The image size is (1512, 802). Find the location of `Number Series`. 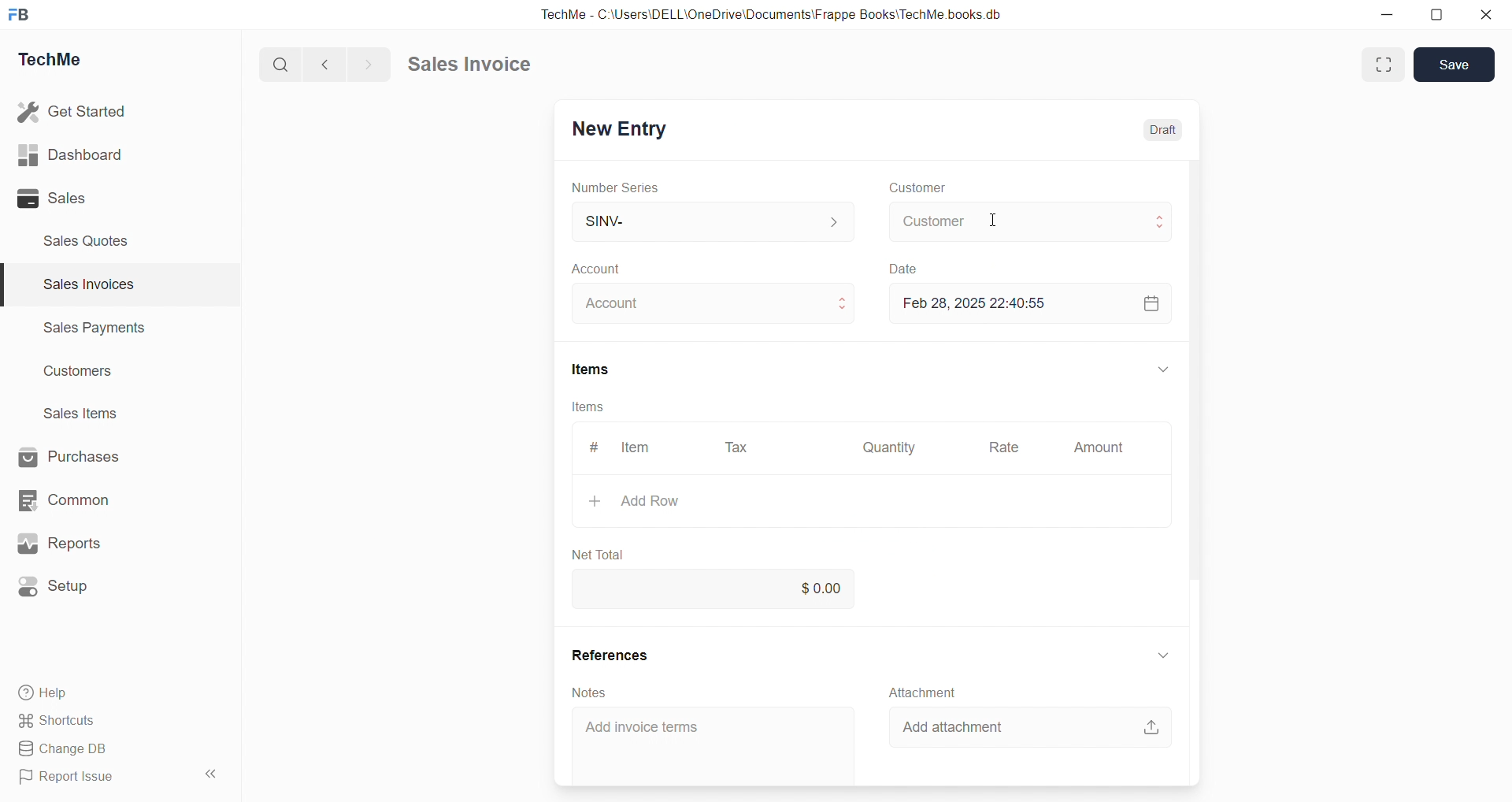

Number Series is located at coordinates (616, 188).